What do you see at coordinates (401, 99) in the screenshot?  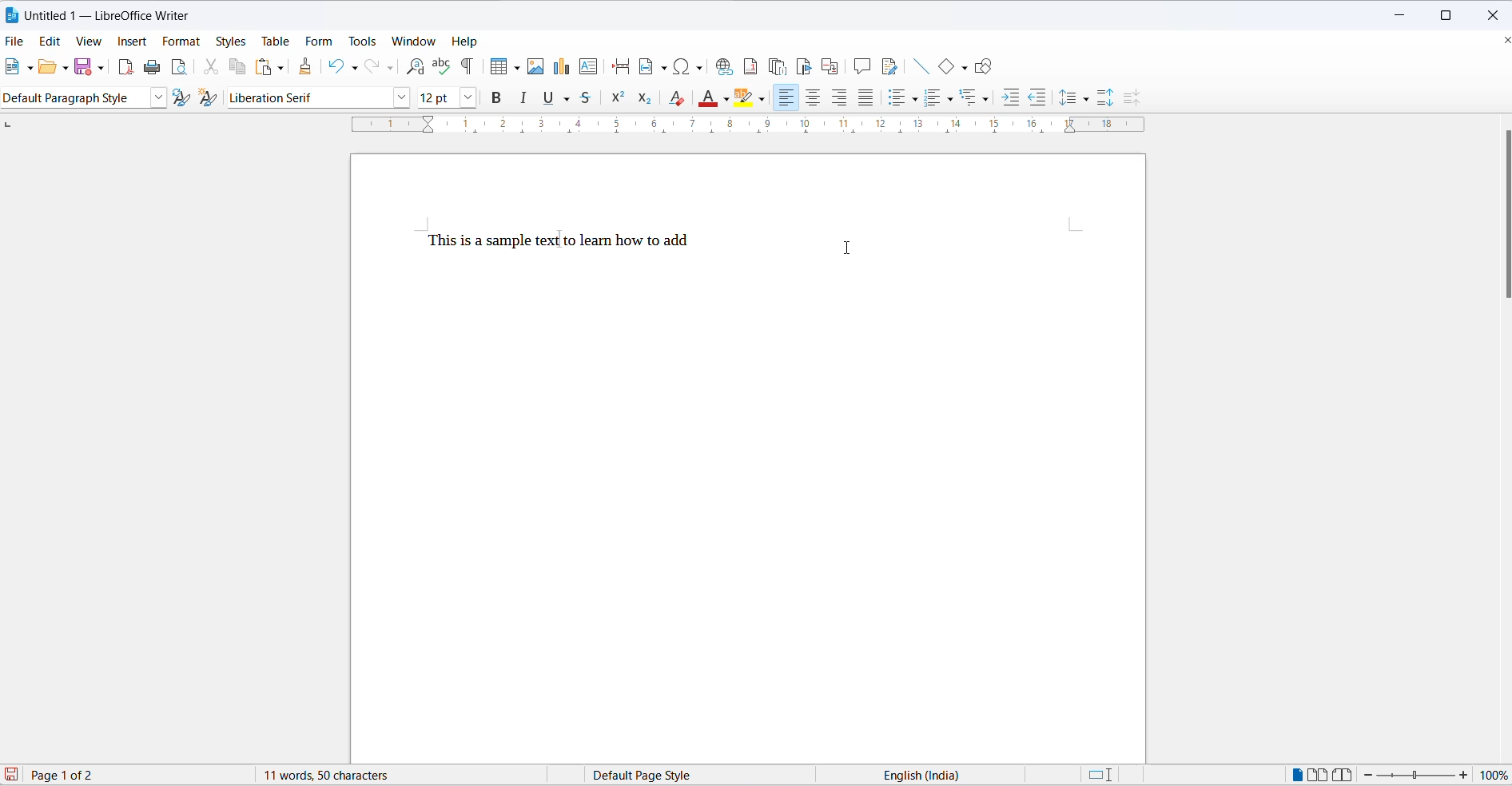 I see `font name options` at bounding box center [401, 99].